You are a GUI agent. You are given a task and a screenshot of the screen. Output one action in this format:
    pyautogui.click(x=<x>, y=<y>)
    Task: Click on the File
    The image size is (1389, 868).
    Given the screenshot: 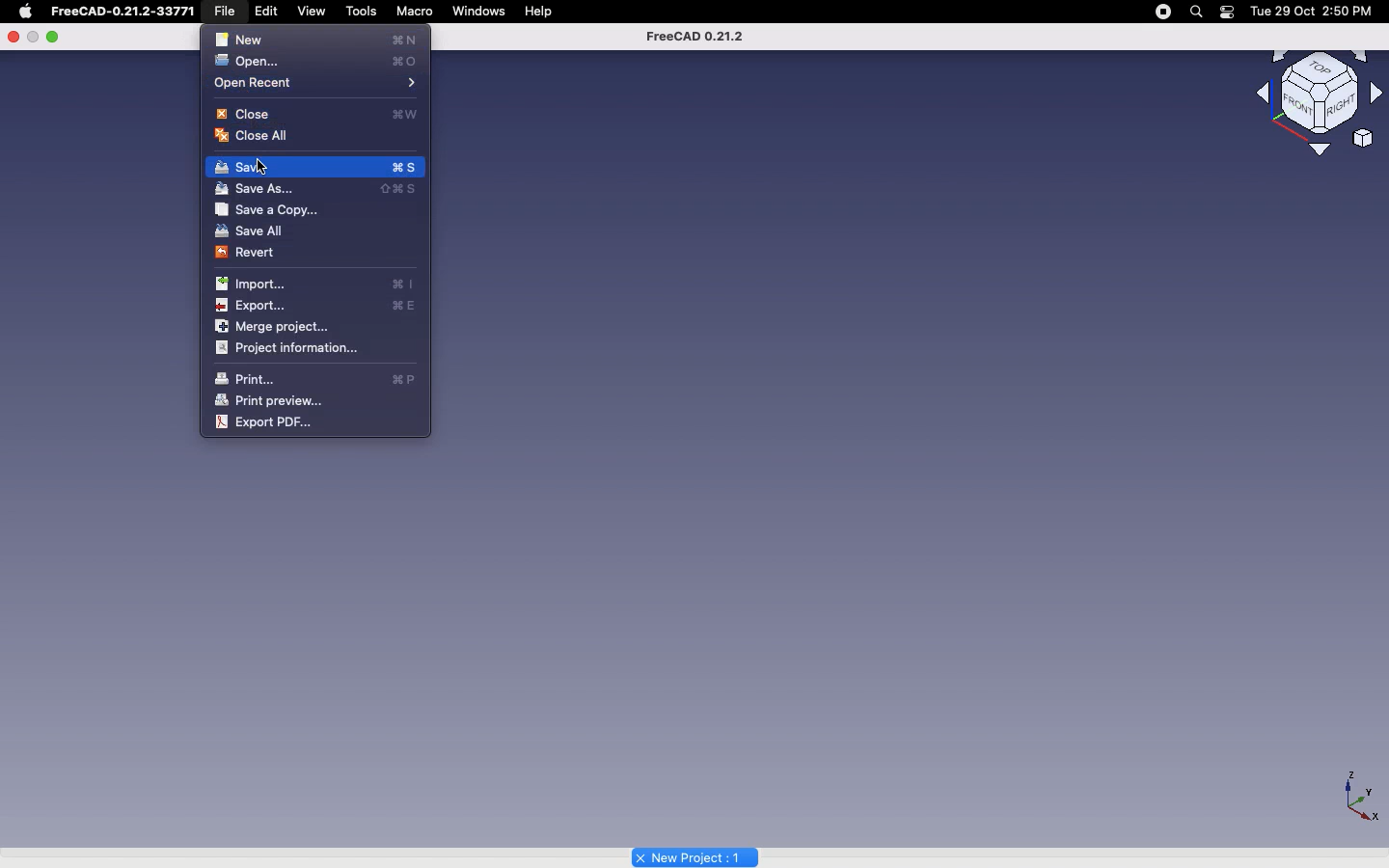 What is the action you would take?
    pyautogui.click(x=230, y=12)
    